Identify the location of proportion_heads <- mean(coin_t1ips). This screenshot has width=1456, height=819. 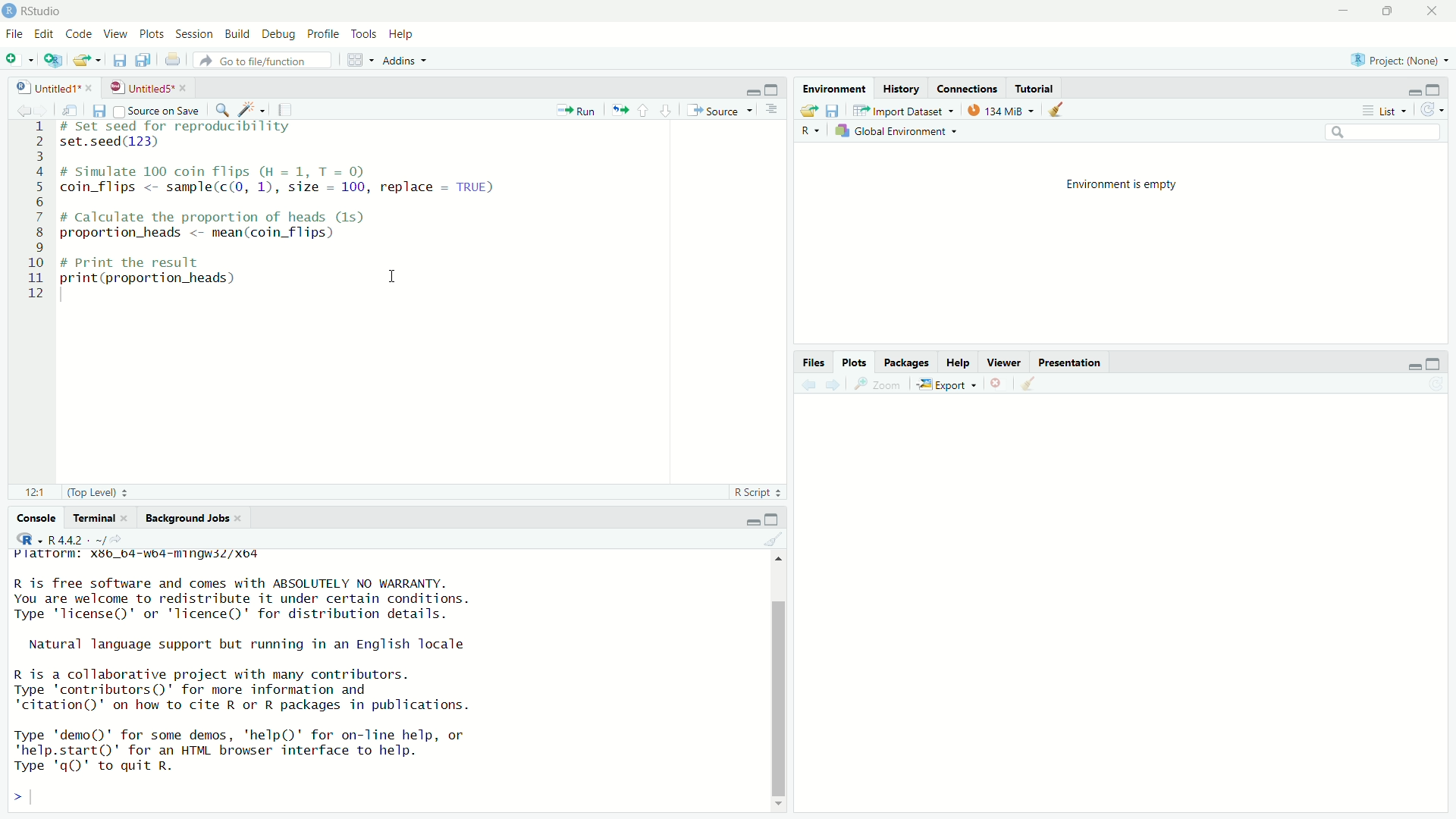
(214, 236).